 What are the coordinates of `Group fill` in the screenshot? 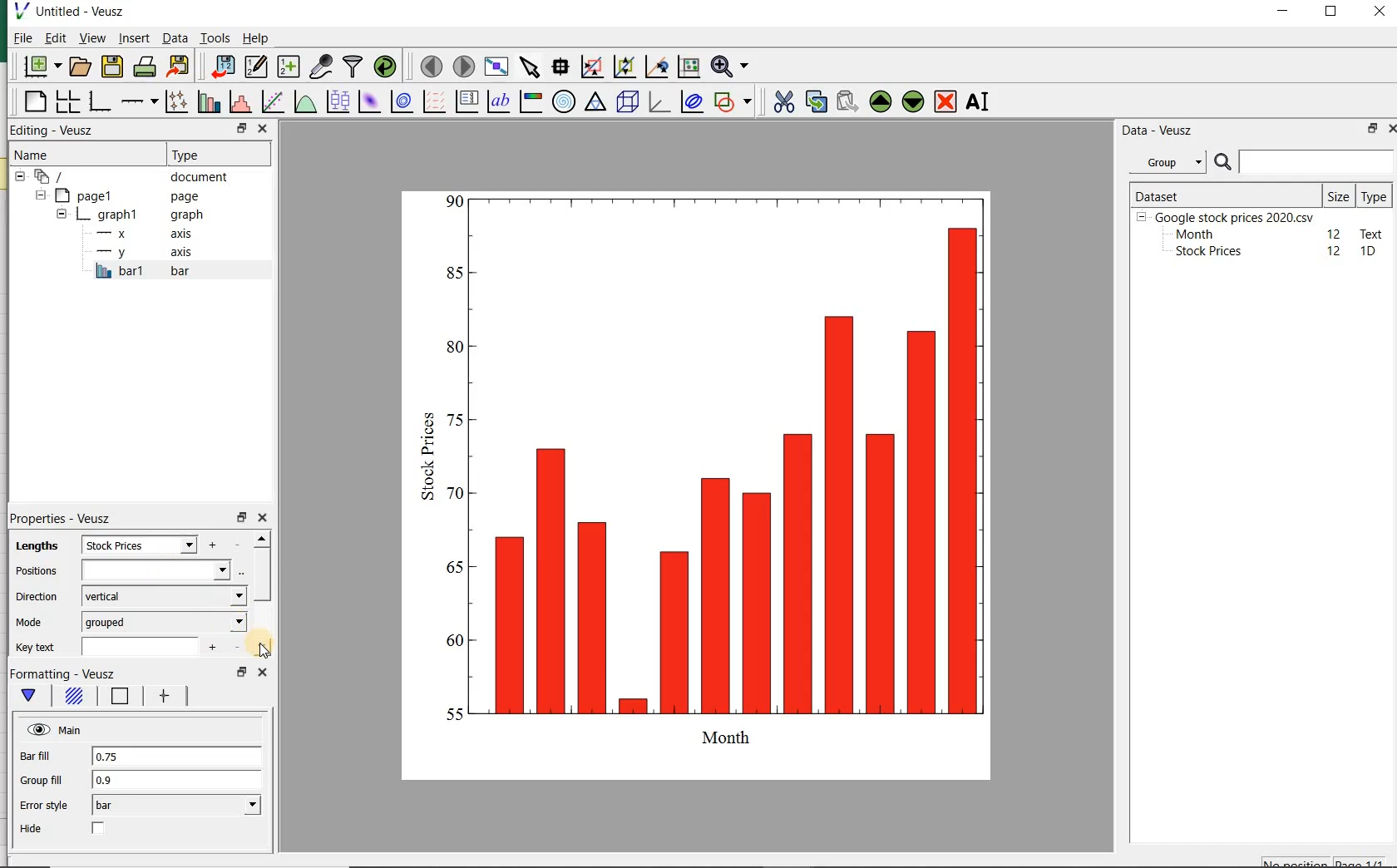 It's located at (41, 780).